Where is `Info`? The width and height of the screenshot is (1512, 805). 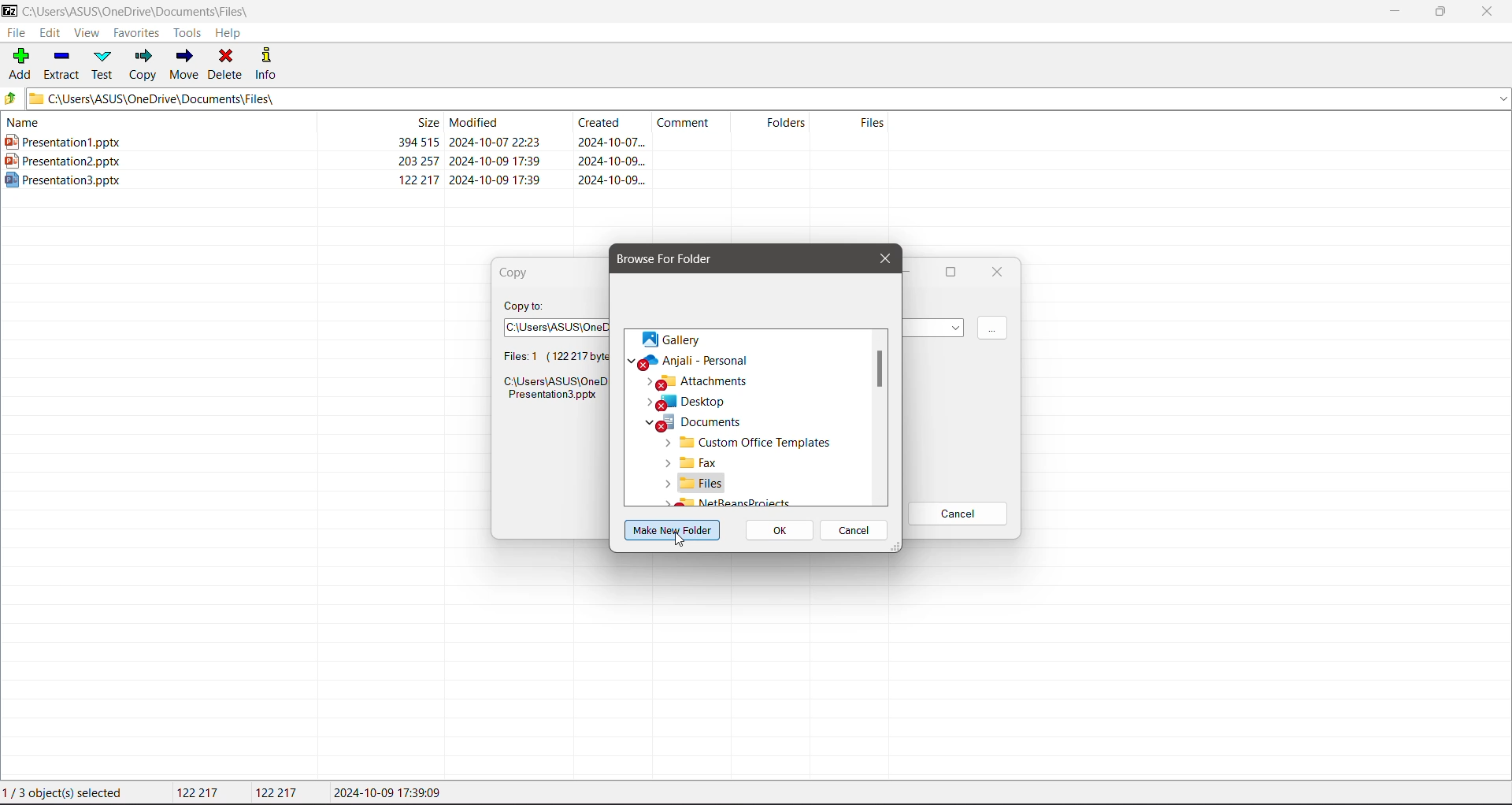
Info is located at coordinates (268, 63).